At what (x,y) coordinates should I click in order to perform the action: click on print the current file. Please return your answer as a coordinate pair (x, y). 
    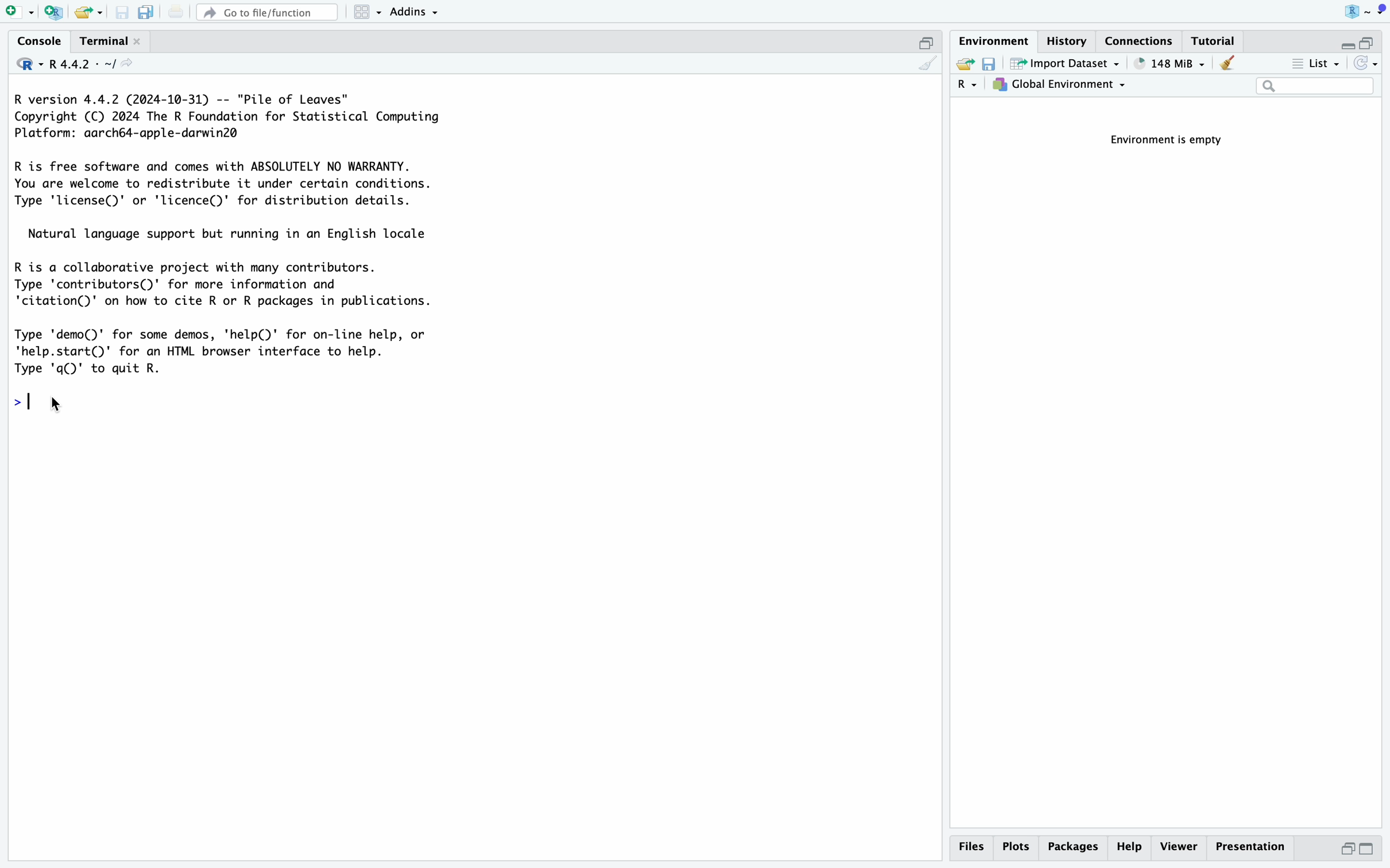
    Looking at the image, I should click on (173, 11).